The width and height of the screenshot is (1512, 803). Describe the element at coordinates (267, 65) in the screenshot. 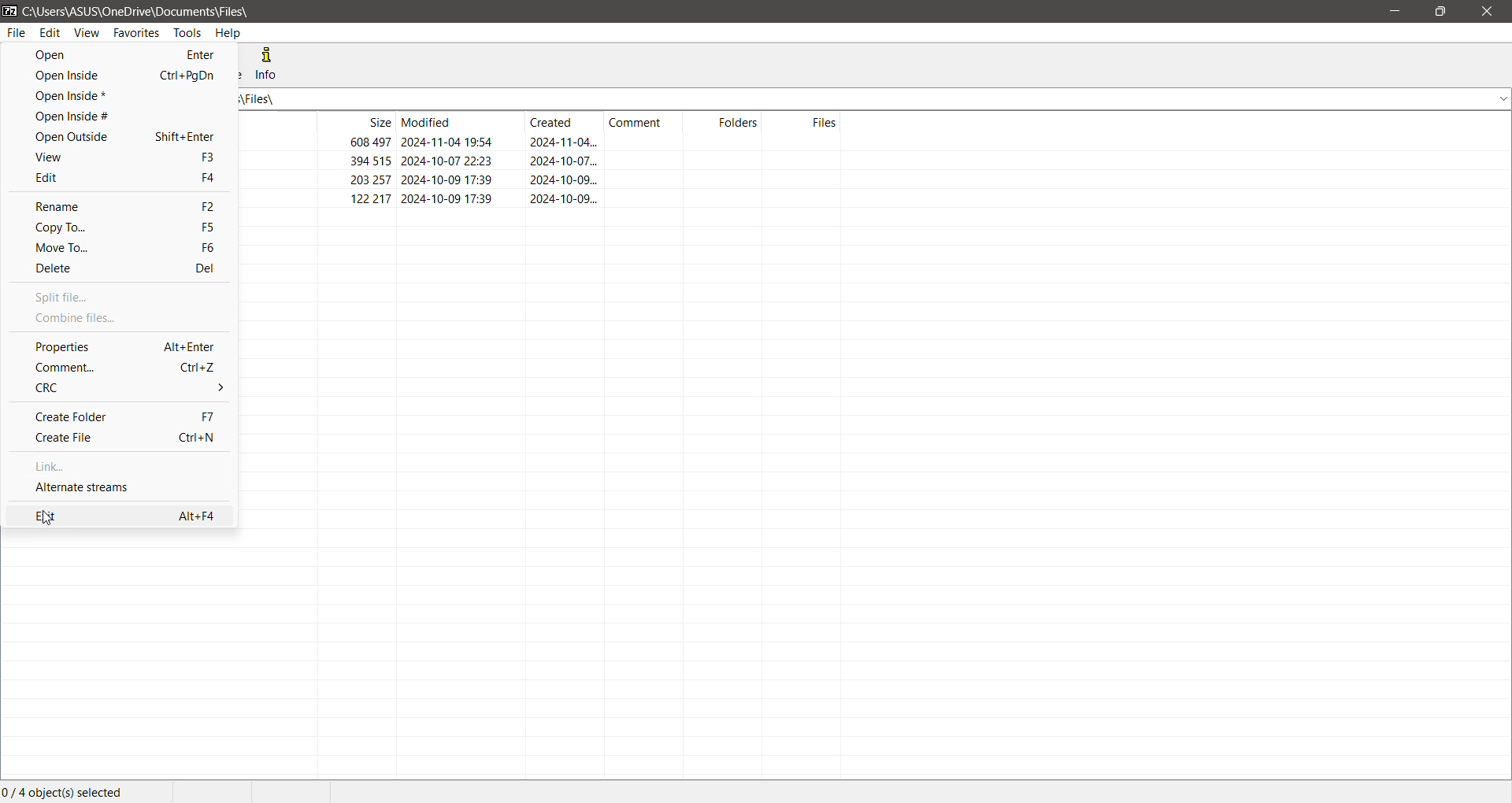

I see `Info` at that location.